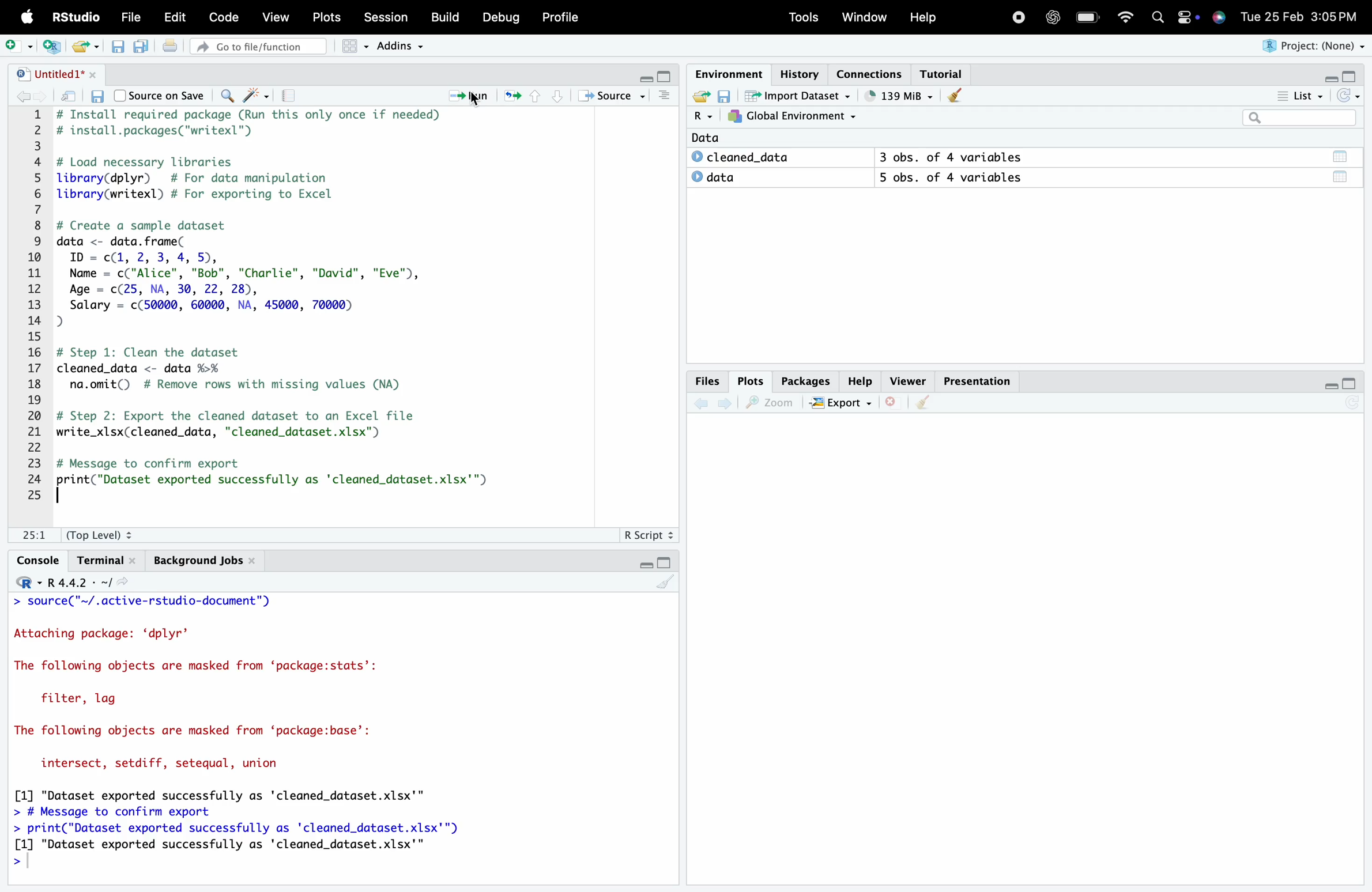  What do you see at coordinates (726, 402) in the screenshot?
I see `Go forward to the next source location (Ctrl + F10)` at bounding box center [726, 402].